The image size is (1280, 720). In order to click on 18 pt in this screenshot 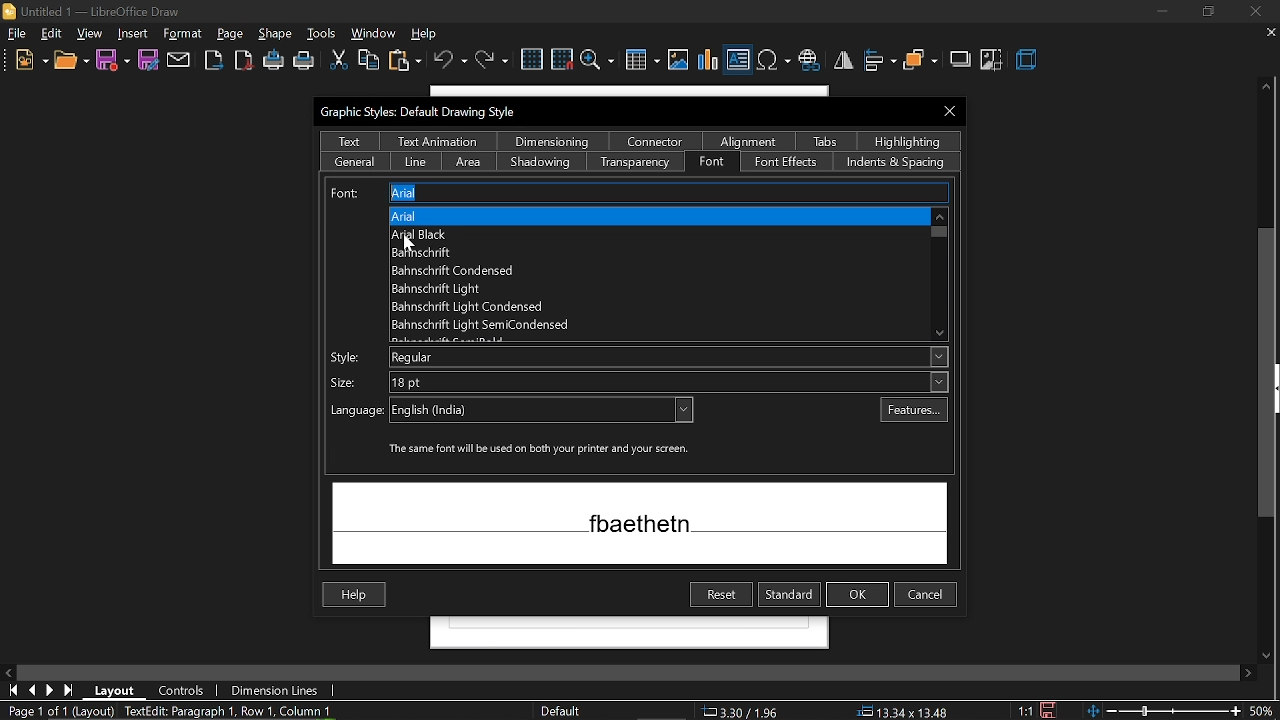, I will do `click(663, 383)`.